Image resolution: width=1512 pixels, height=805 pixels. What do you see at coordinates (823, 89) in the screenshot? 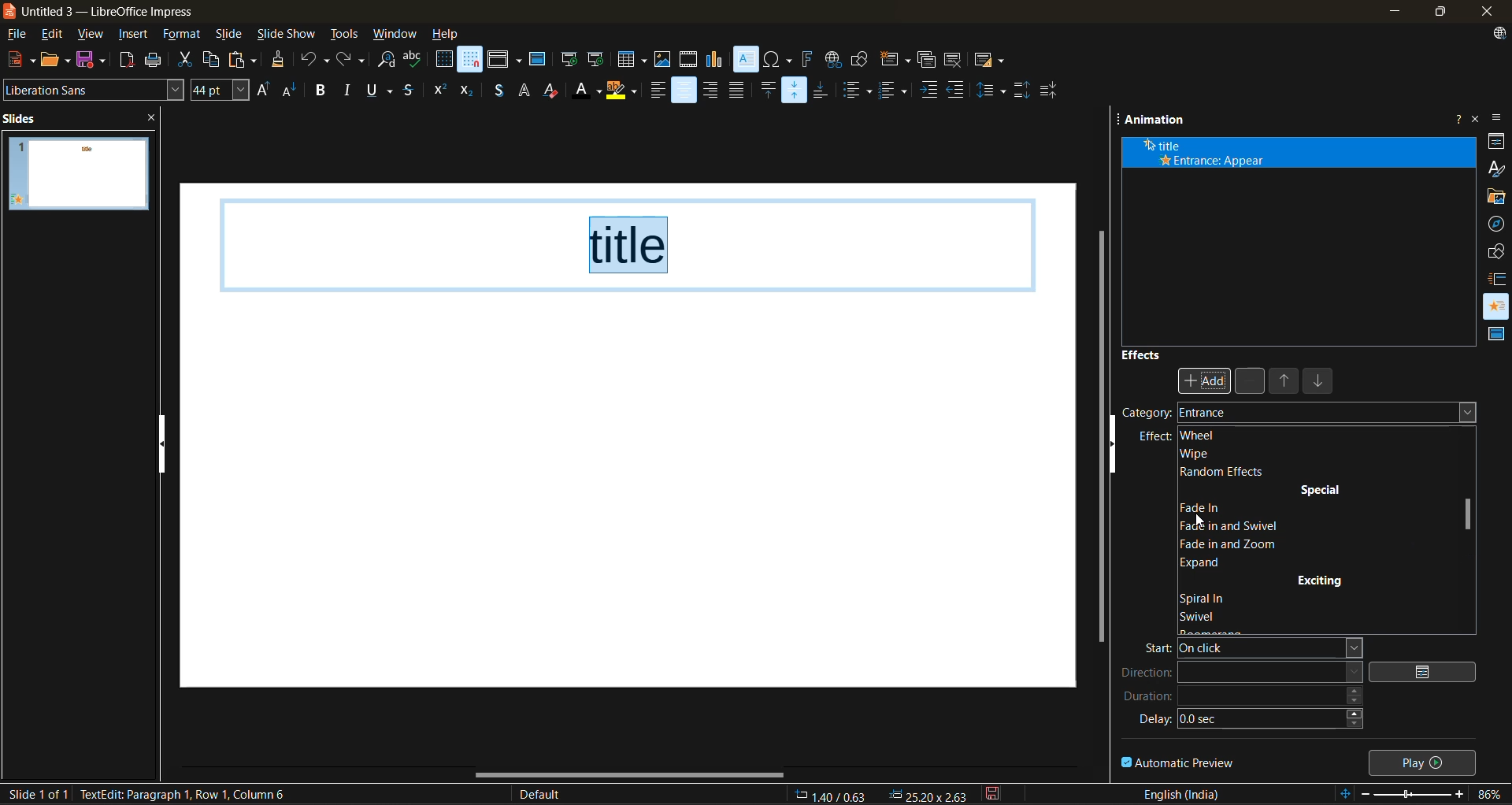
I see `align bottom` at bounding box center [823, 89].